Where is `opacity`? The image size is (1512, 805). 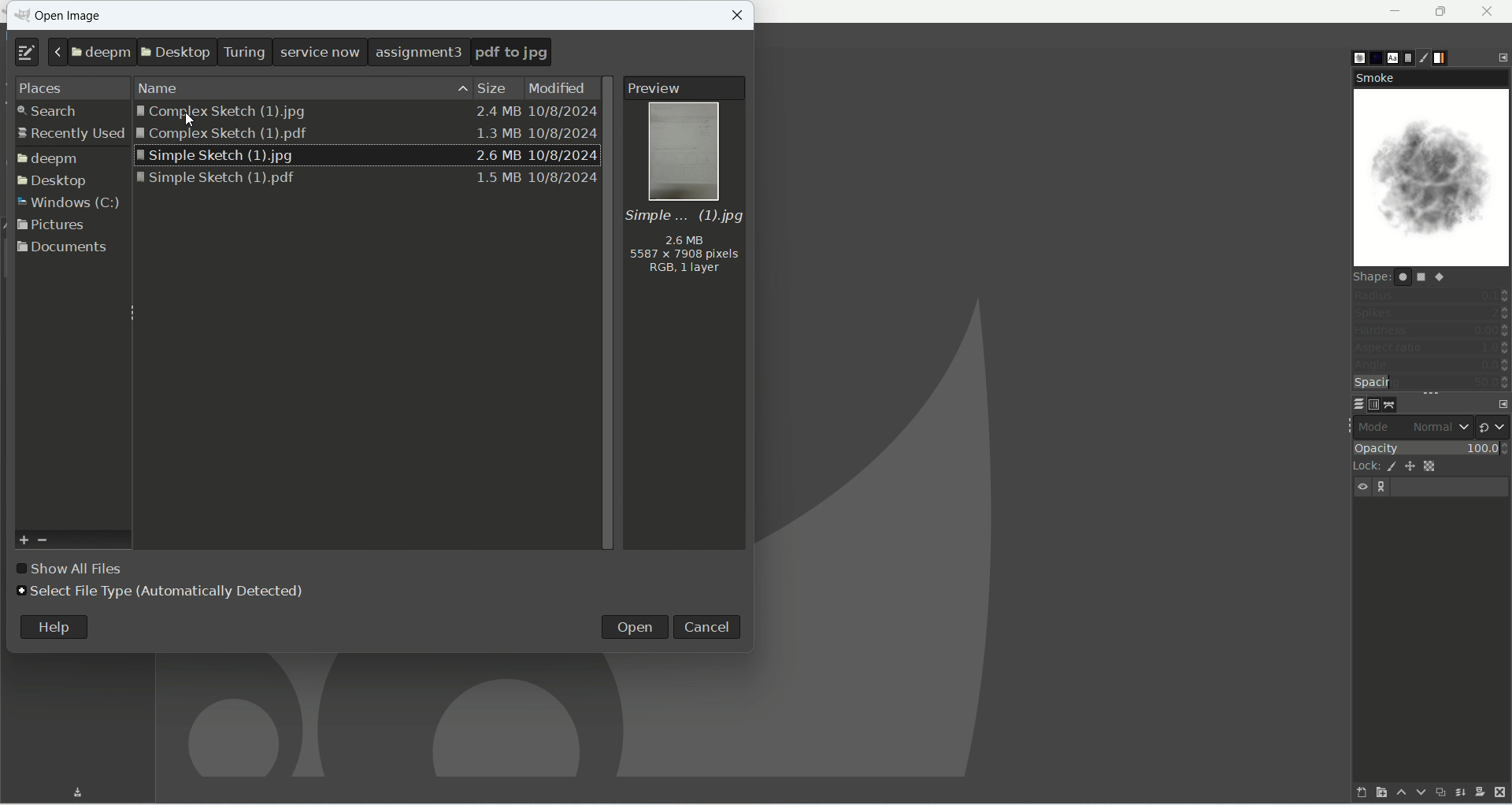 opacity is located at coordinates (1397, 450).